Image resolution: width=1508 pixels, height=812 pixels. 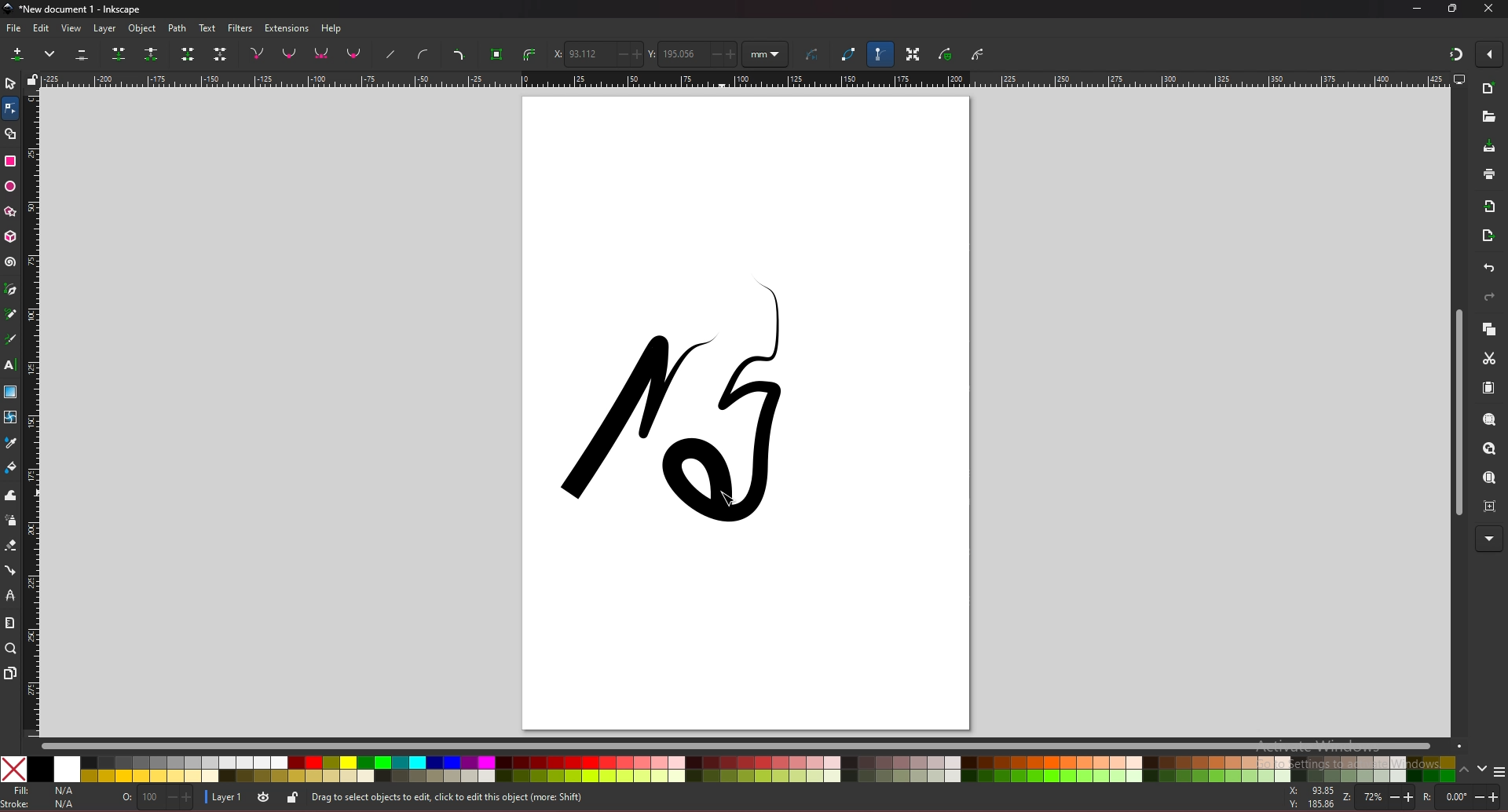 I want to click on zoom, so click(x=1377, y=797).